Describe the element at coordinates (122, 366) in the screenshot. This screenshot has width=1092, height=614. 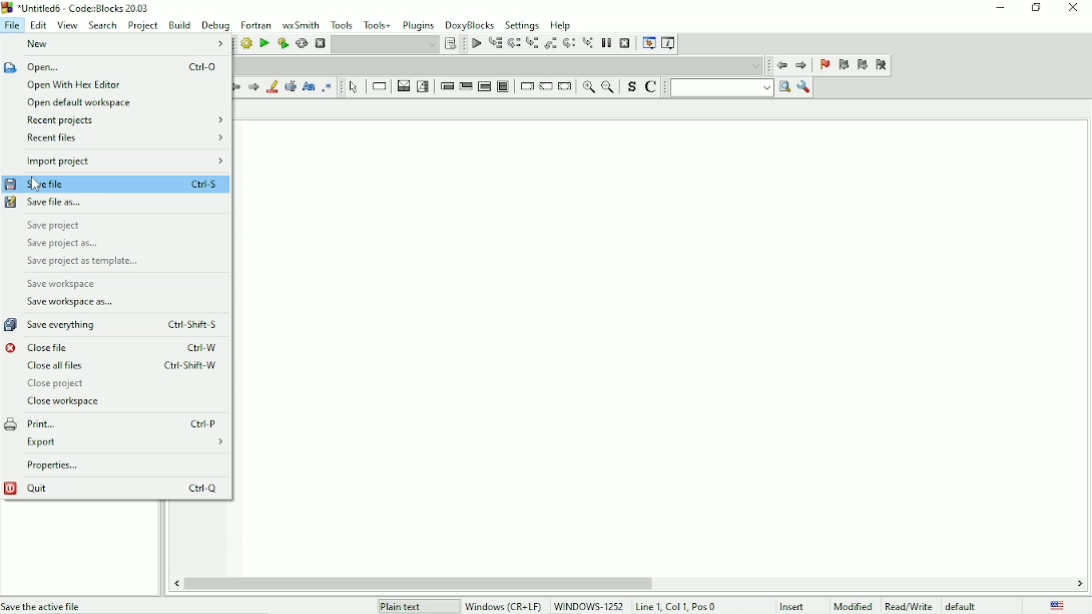
I see `Close all files` at that location.